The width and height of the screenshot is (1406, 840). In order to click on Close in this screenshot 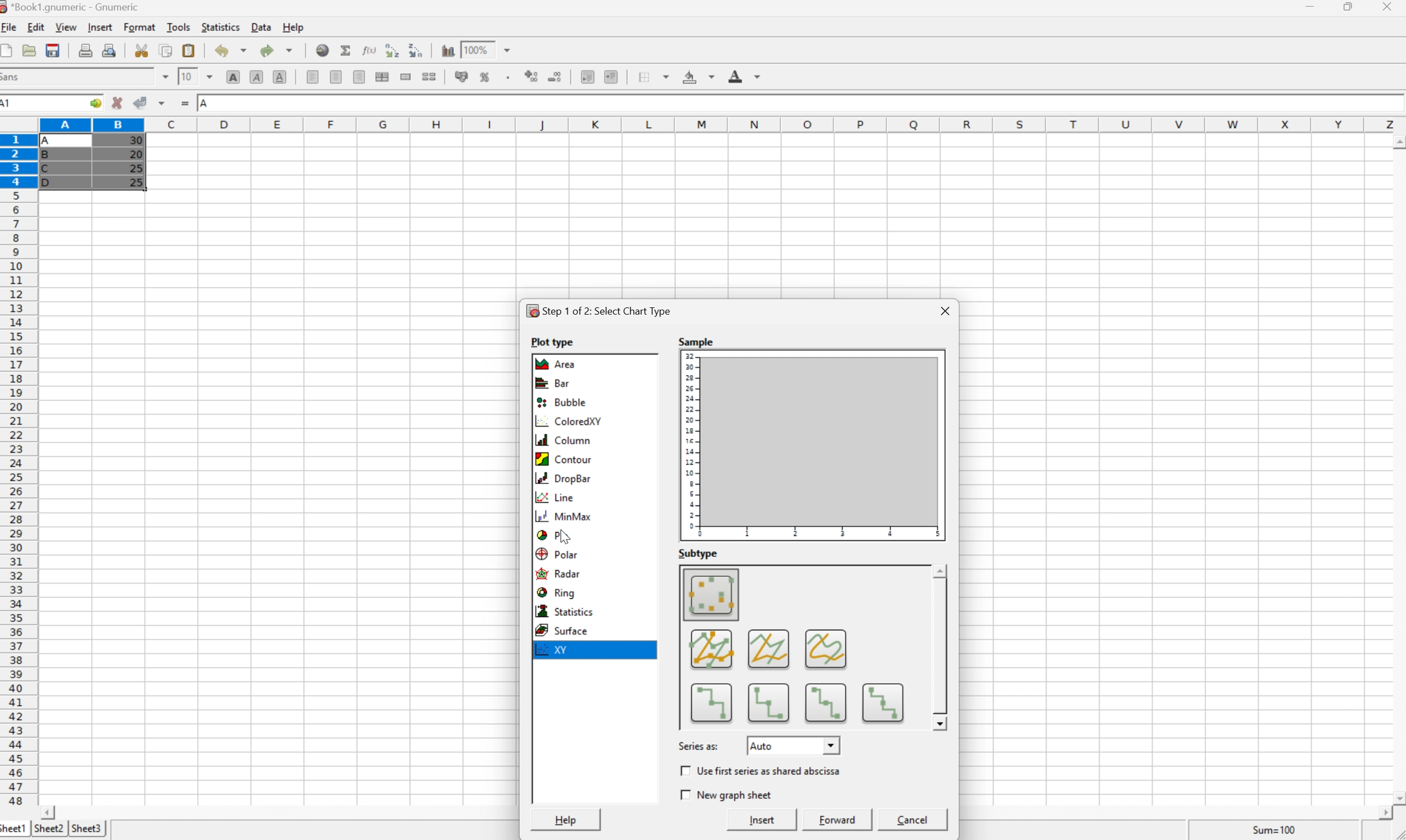, I will do `click(1388, 7)`.